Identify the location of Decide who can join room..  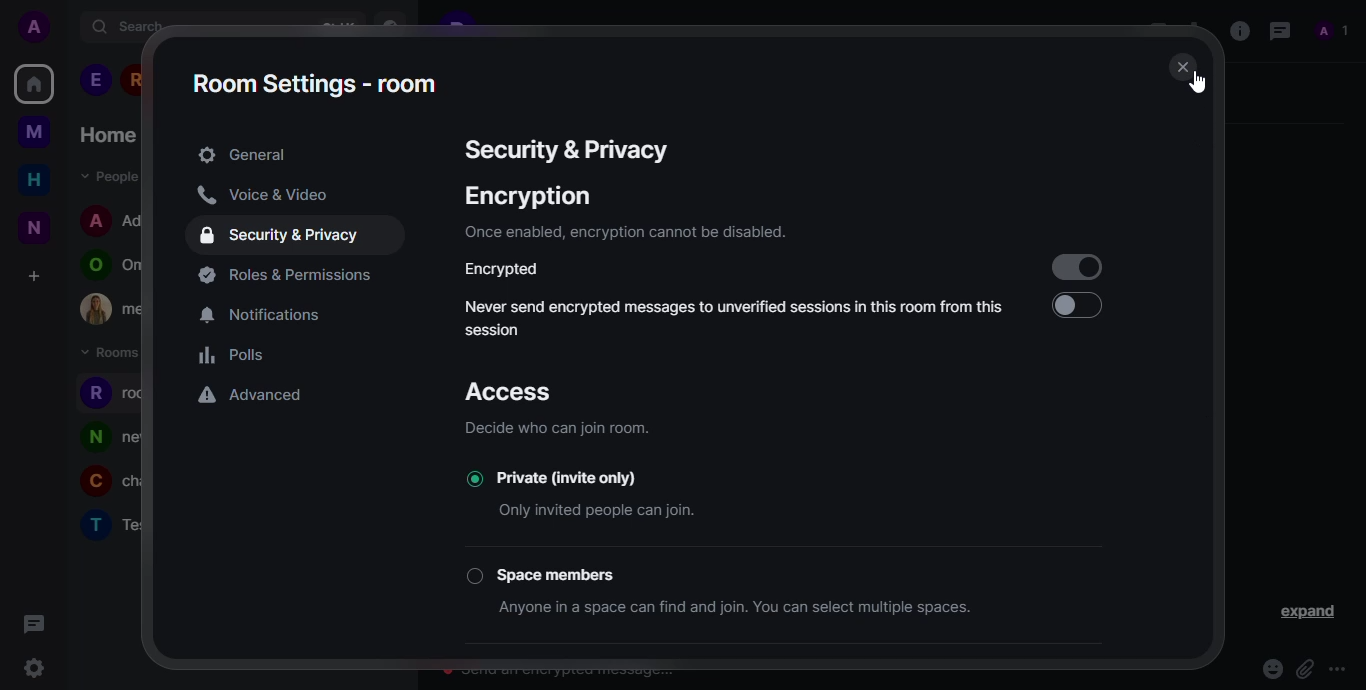
(589, 429).